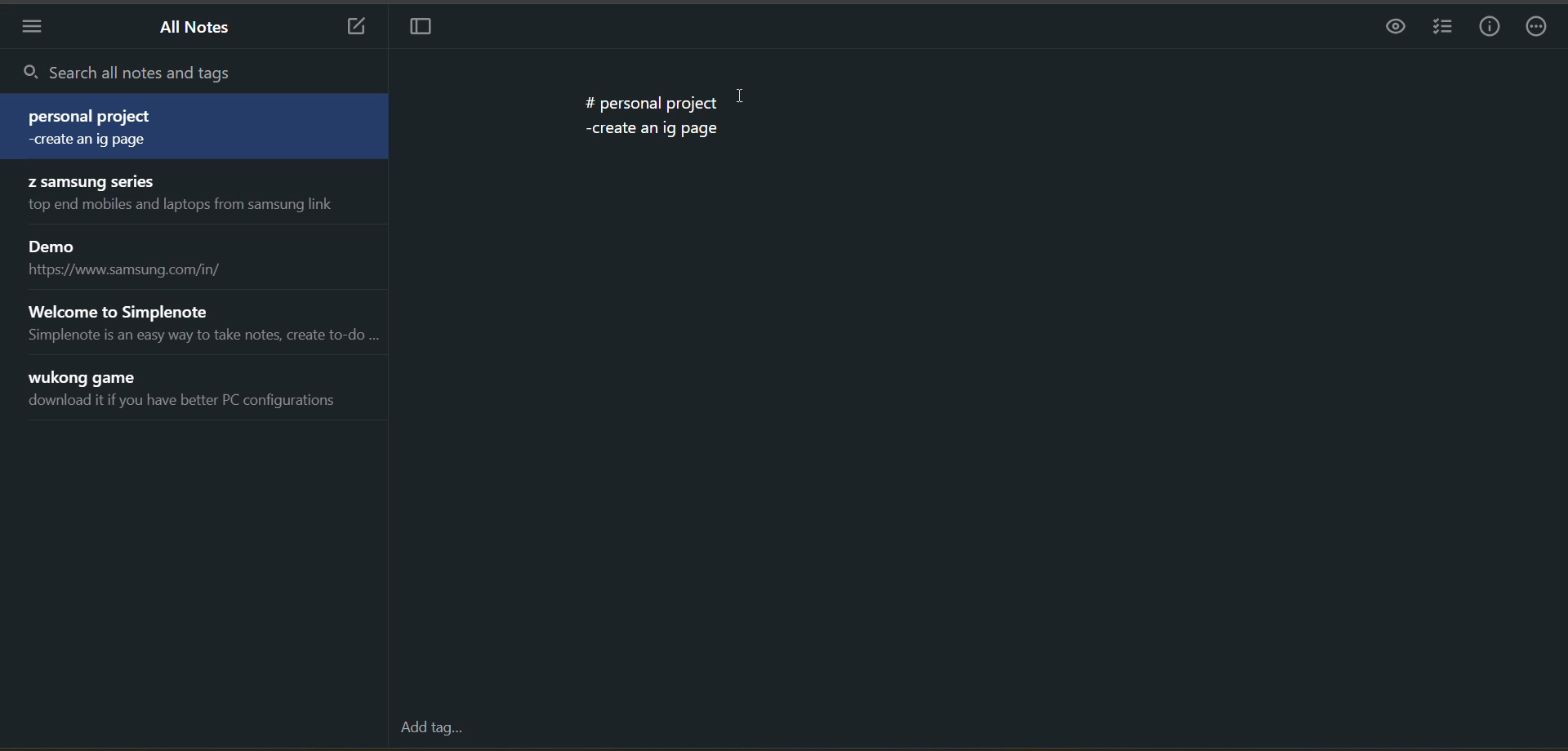 The height and width of the screenshot is (751, 1568). I want to click on new note, so click(358, 28).